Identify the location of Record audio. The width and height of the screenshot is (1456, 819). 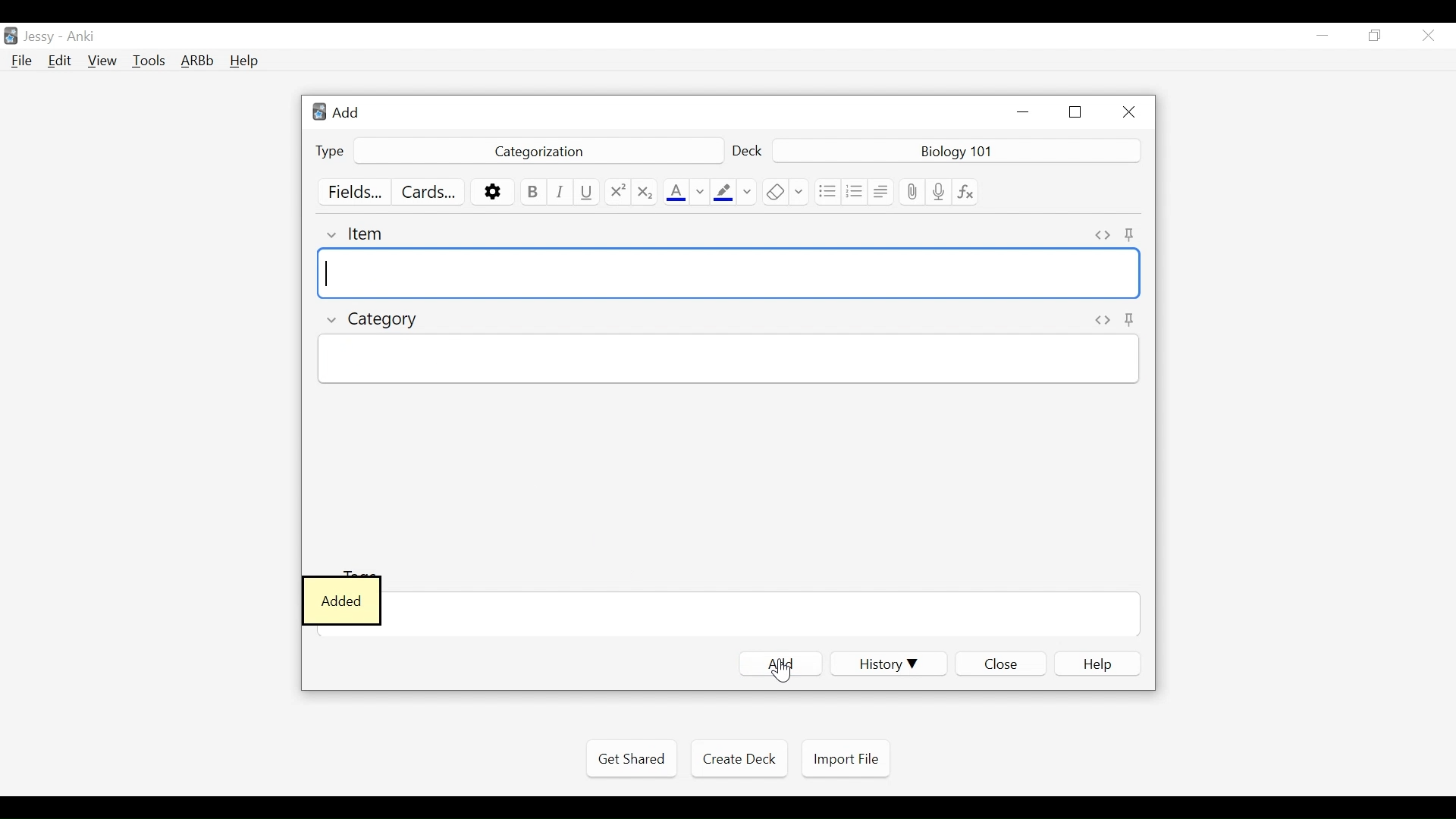
(939, 191).